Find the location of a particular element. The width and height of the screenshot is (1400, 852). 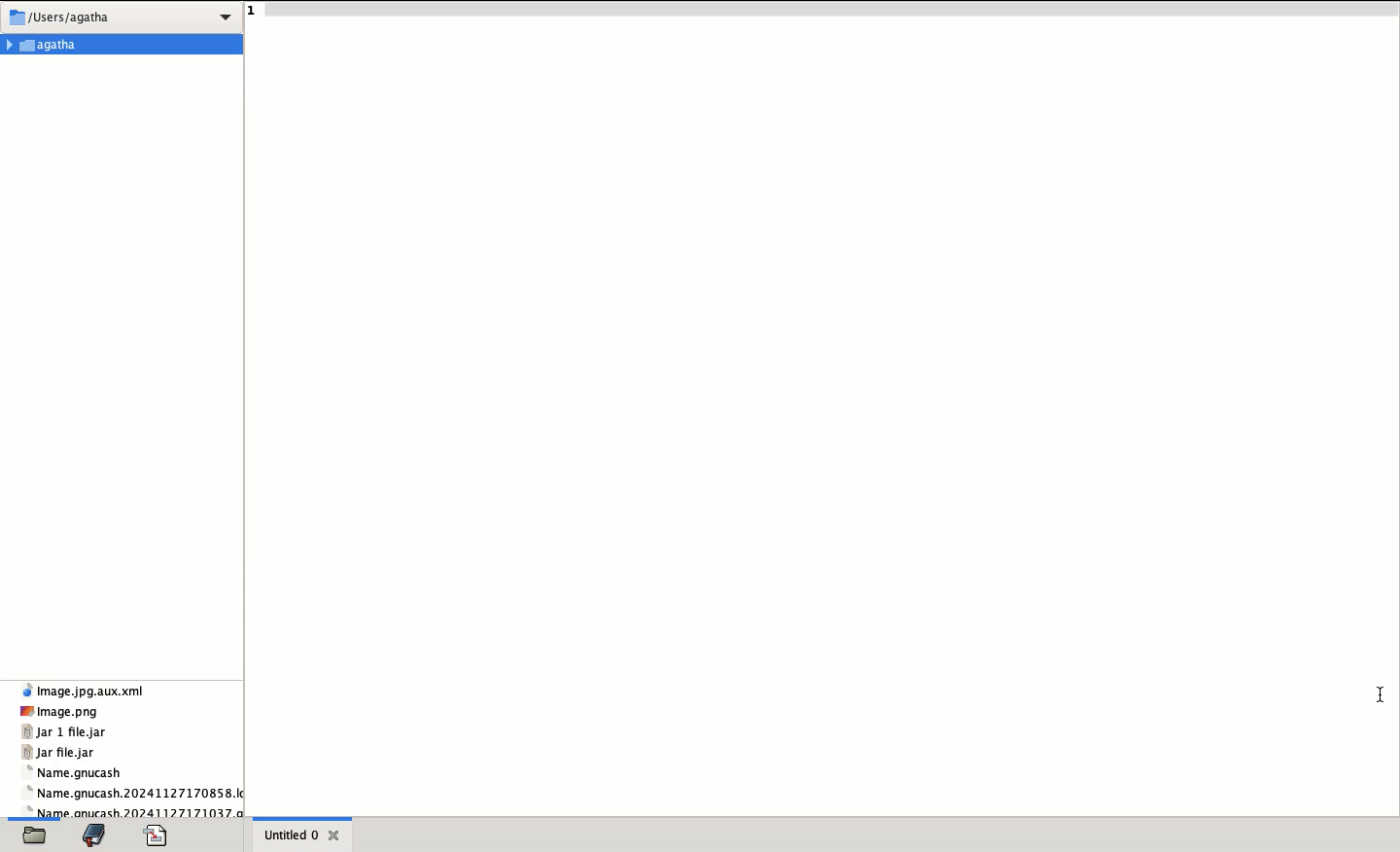

cursor is located at coordinates (1377, 693).